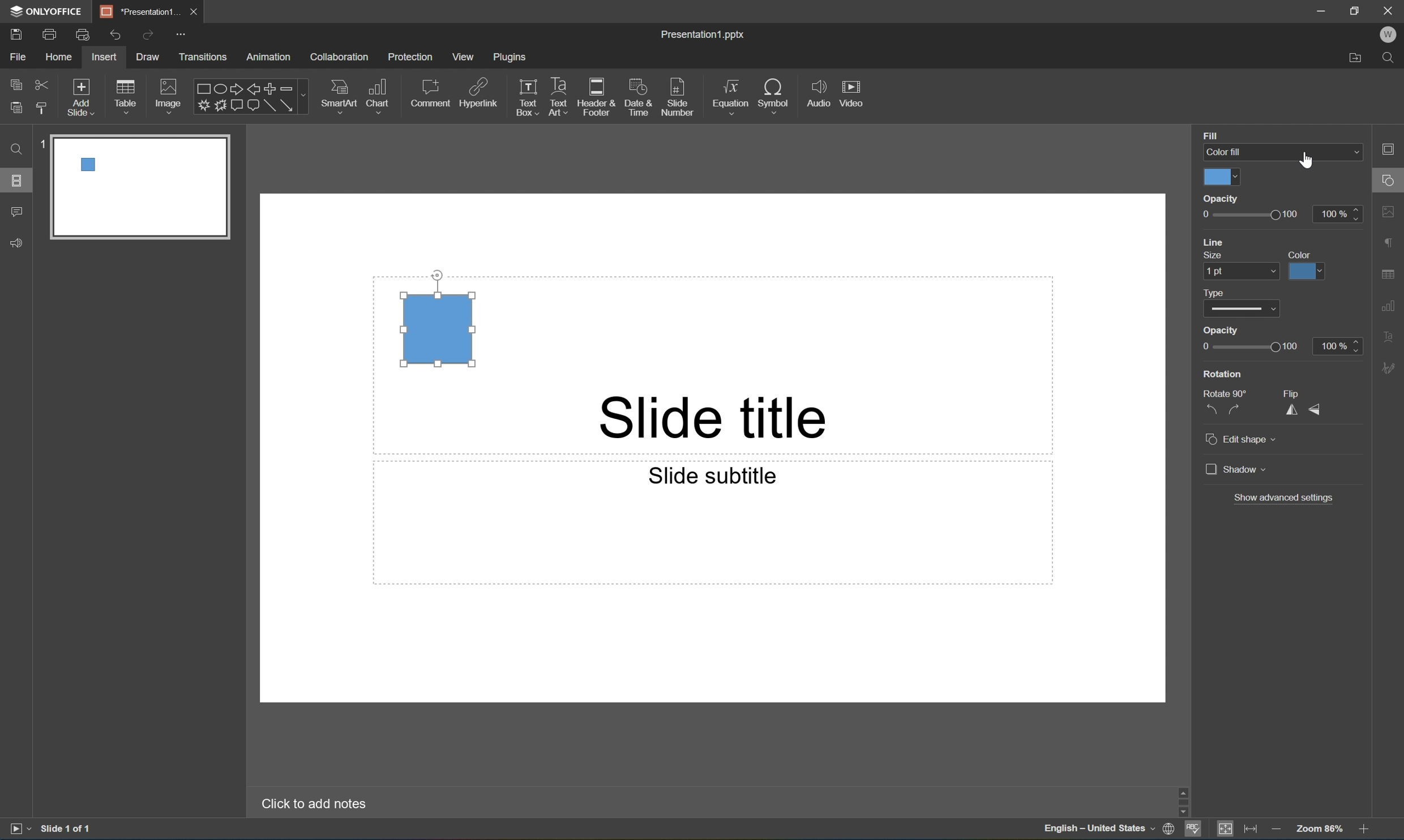  Describe the element at coordinates (115, 36) in the screenshot. I see `Undo` at that location.